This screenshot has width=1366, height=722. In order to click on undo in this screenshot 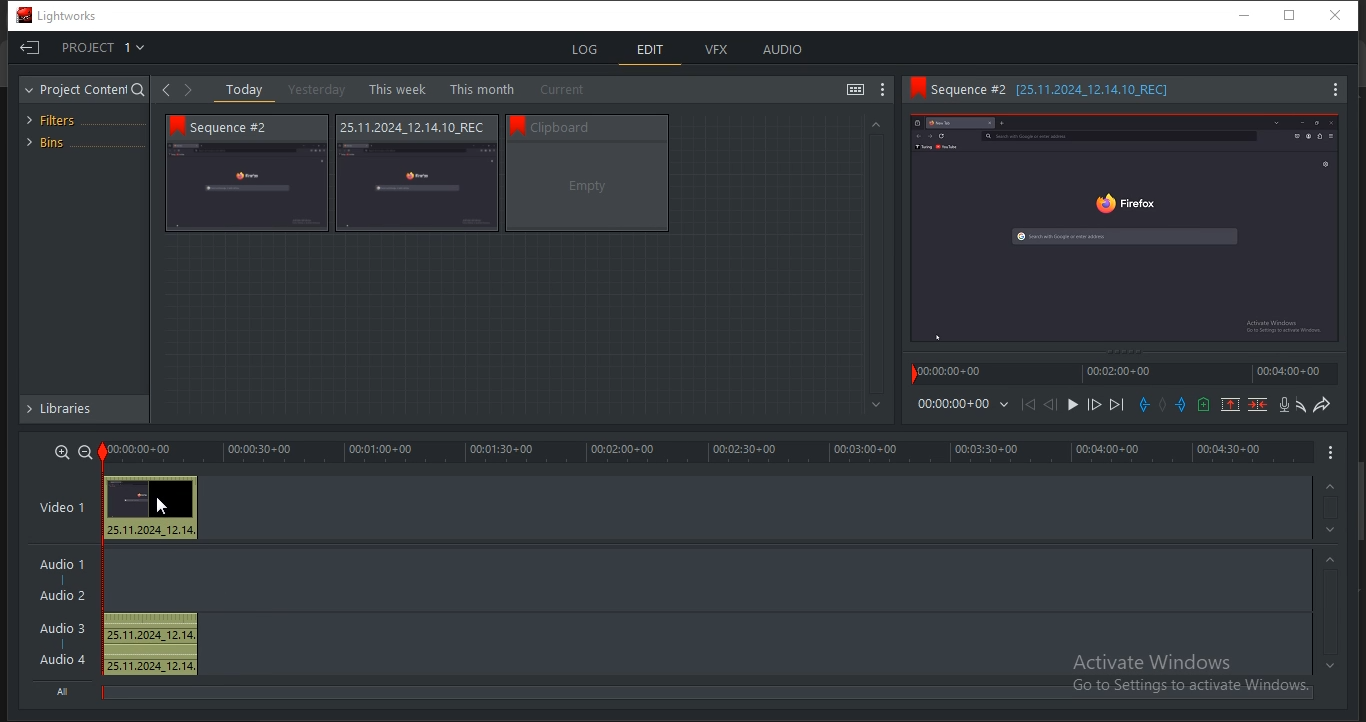, I will do `click(1298, 405)`.